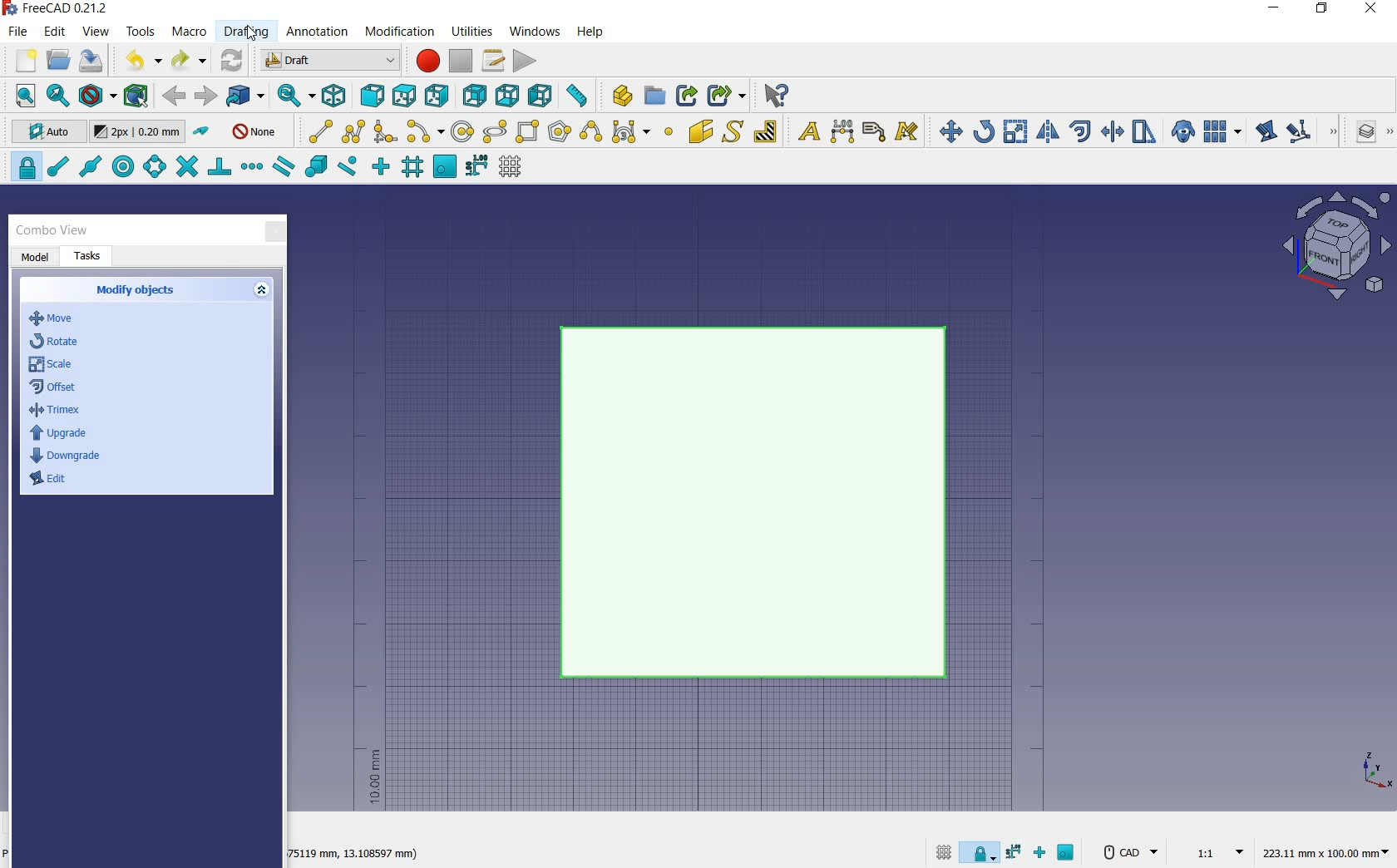 This screenshot has width=1397, height=868. Describe the element at coordinates (91, 61) in the screenshot. I see `save` at that location.